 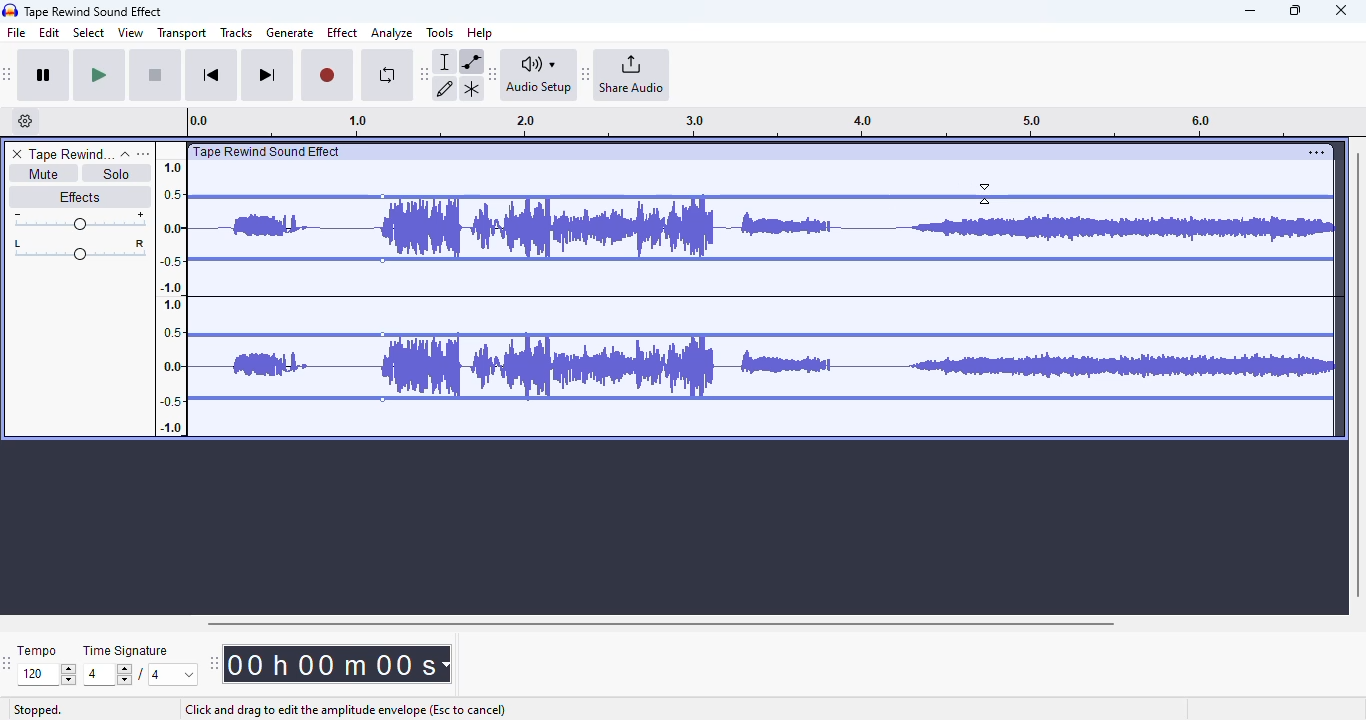 I want to click on Cursor, so click(x=985, y=194).